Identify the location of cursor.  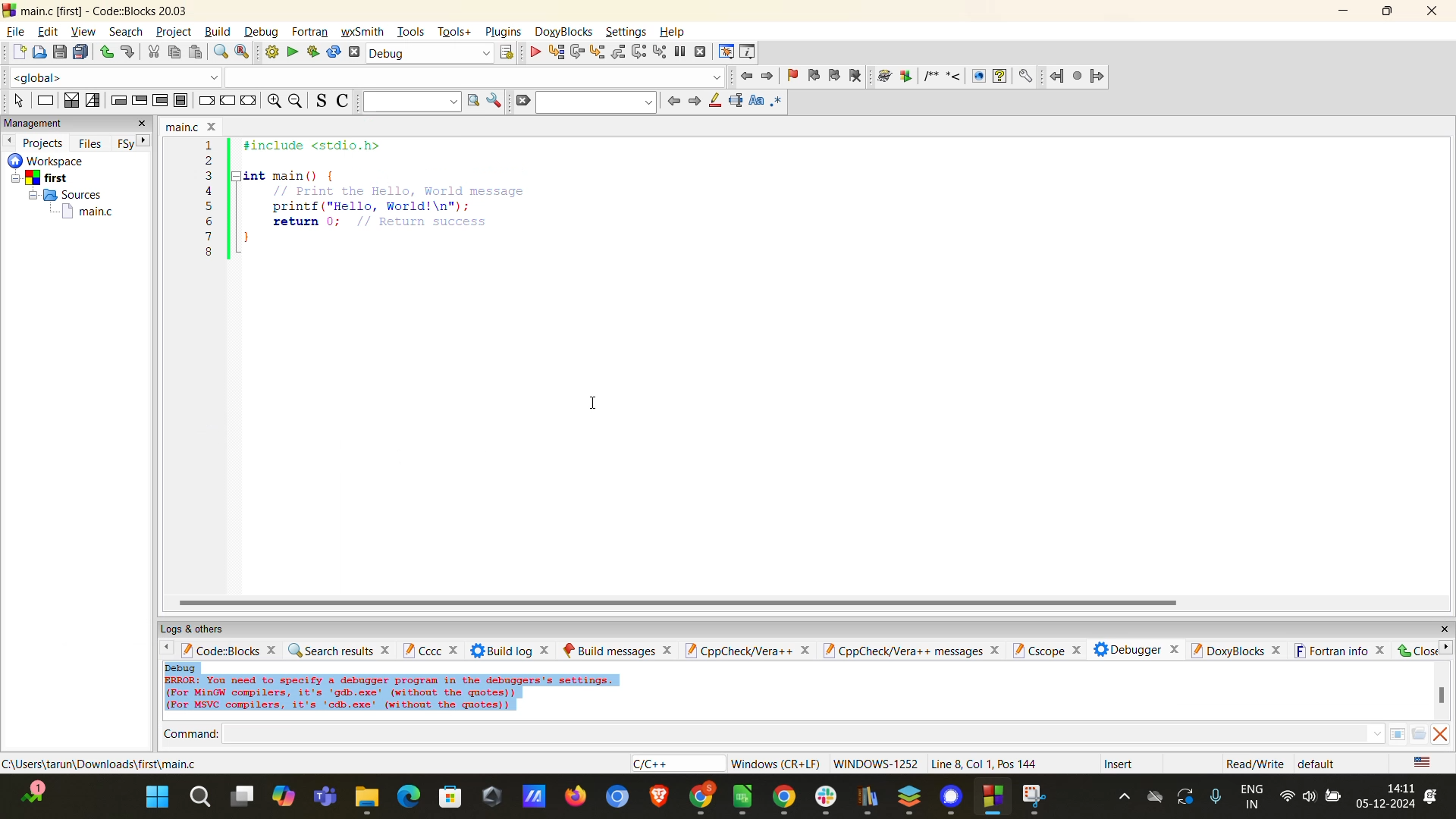
(593, 403).